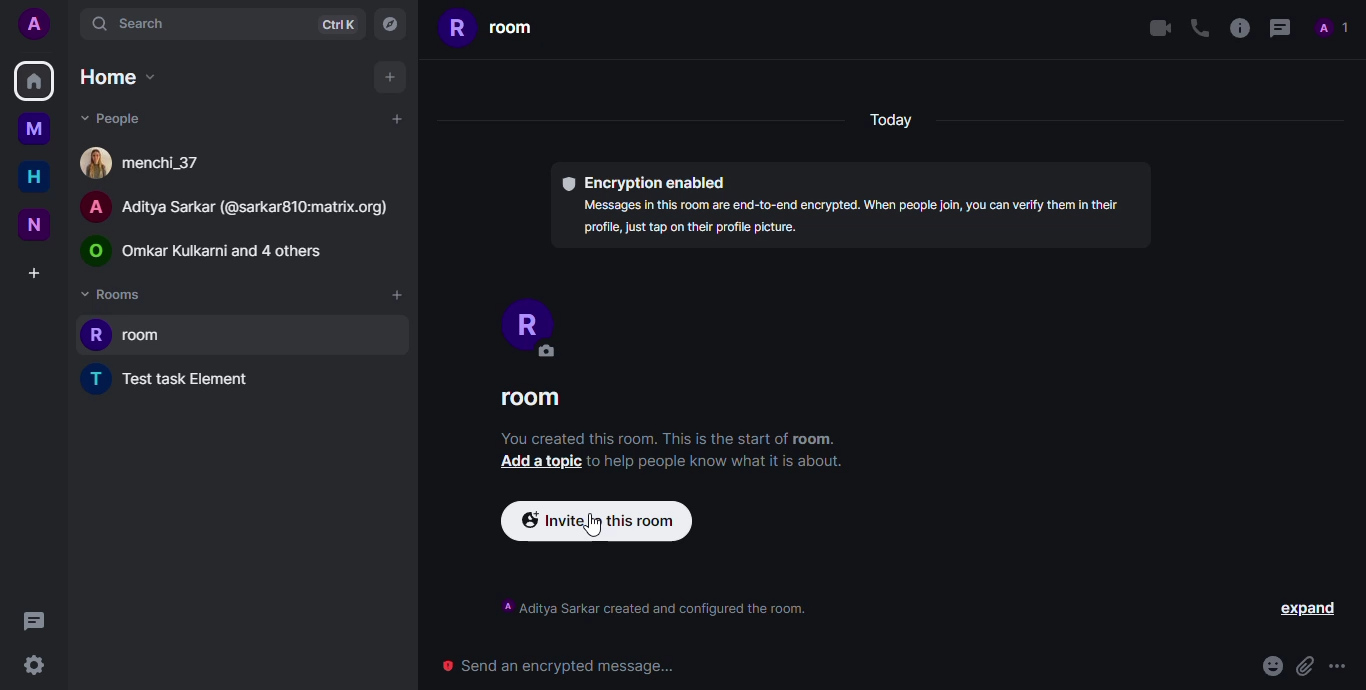 The height and width of the screenshot is (690, 1366). Describe the element at coordinates (1304, 609) in the screenshot. I see `expand` at that location.